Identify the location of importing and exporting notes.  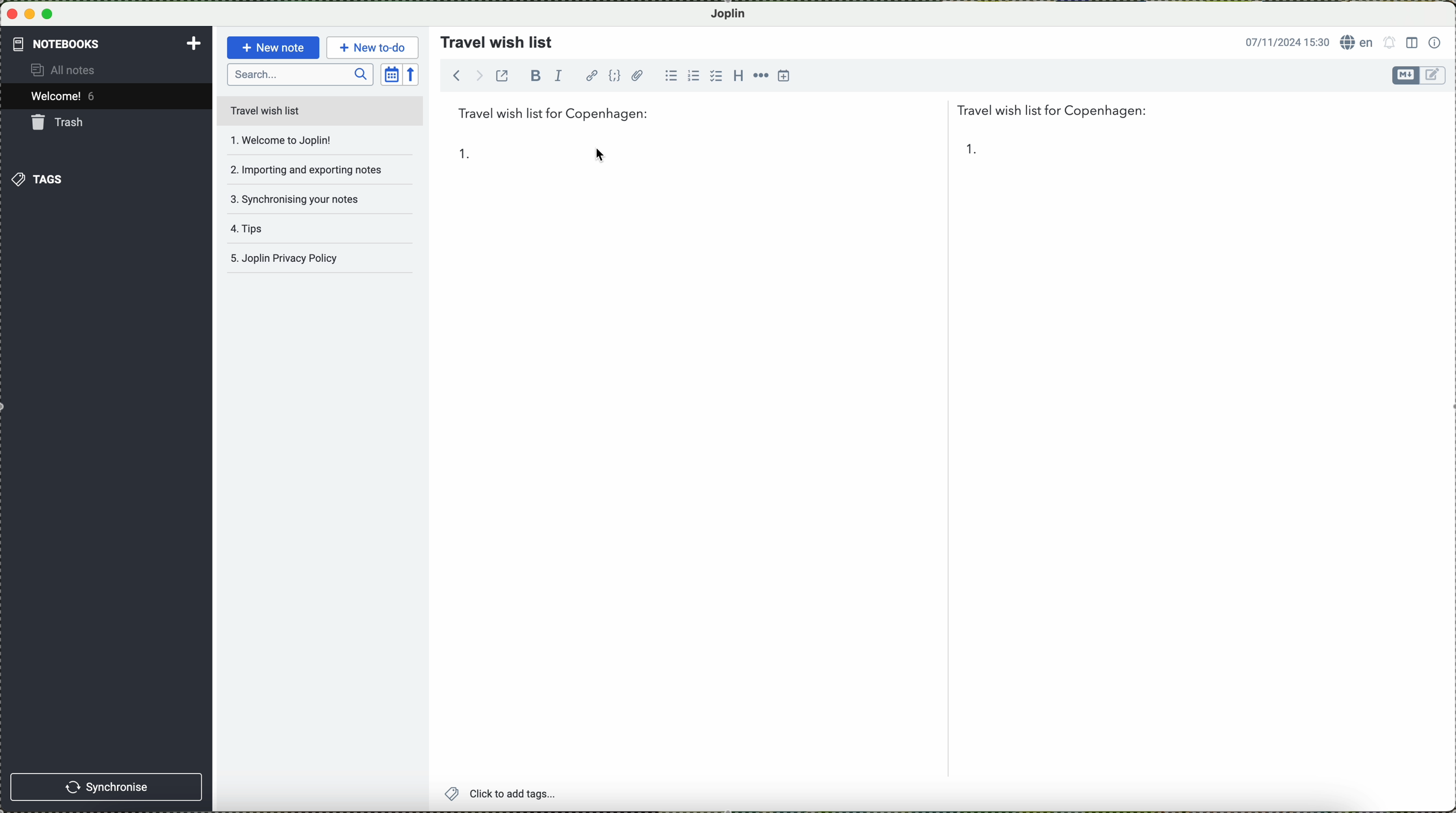
(306, 168).